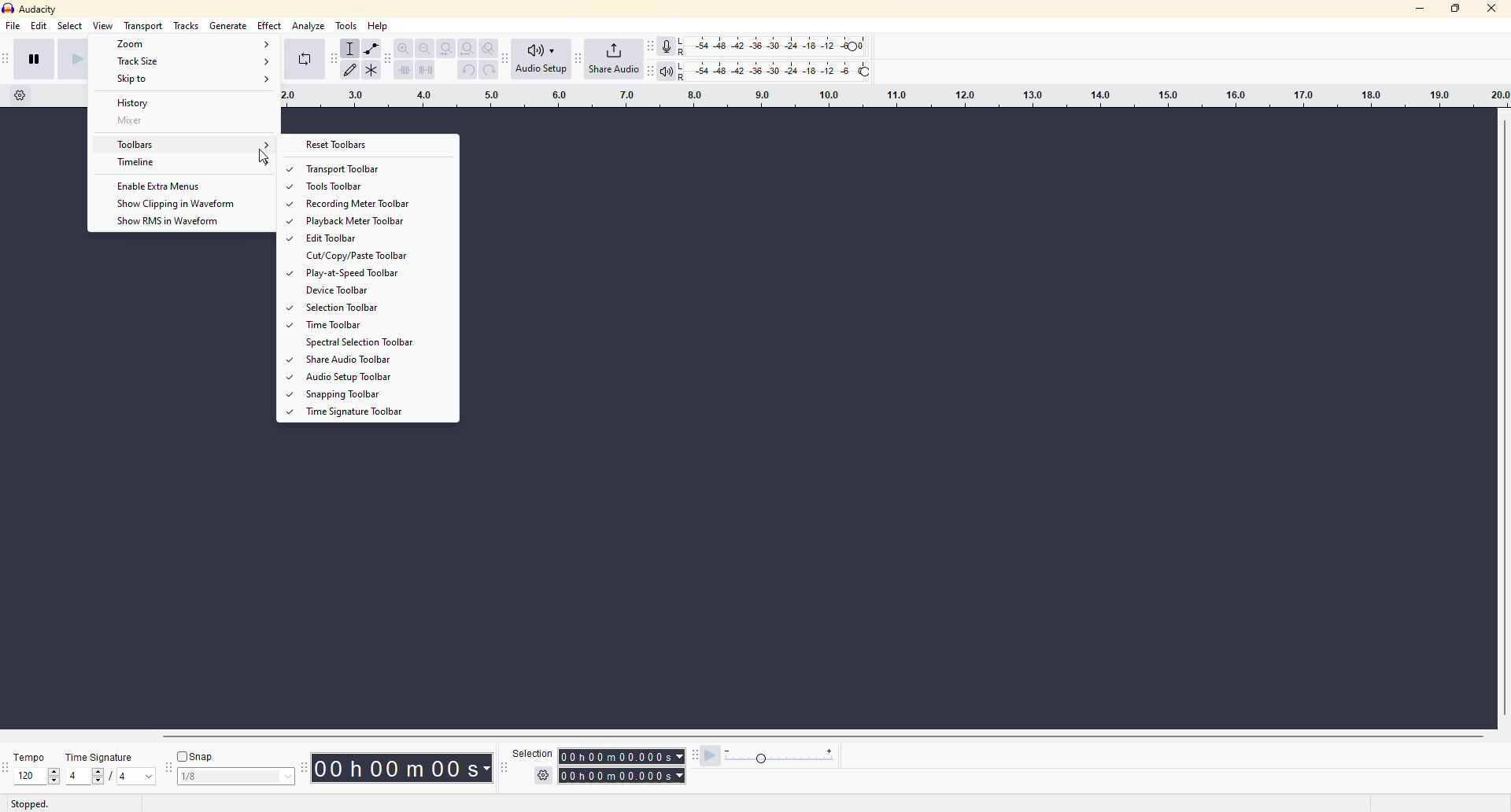  What do you see at coordinates (342, 170) in the screenshot?
I see `transport toolbar` at bounding box center [342, 170].